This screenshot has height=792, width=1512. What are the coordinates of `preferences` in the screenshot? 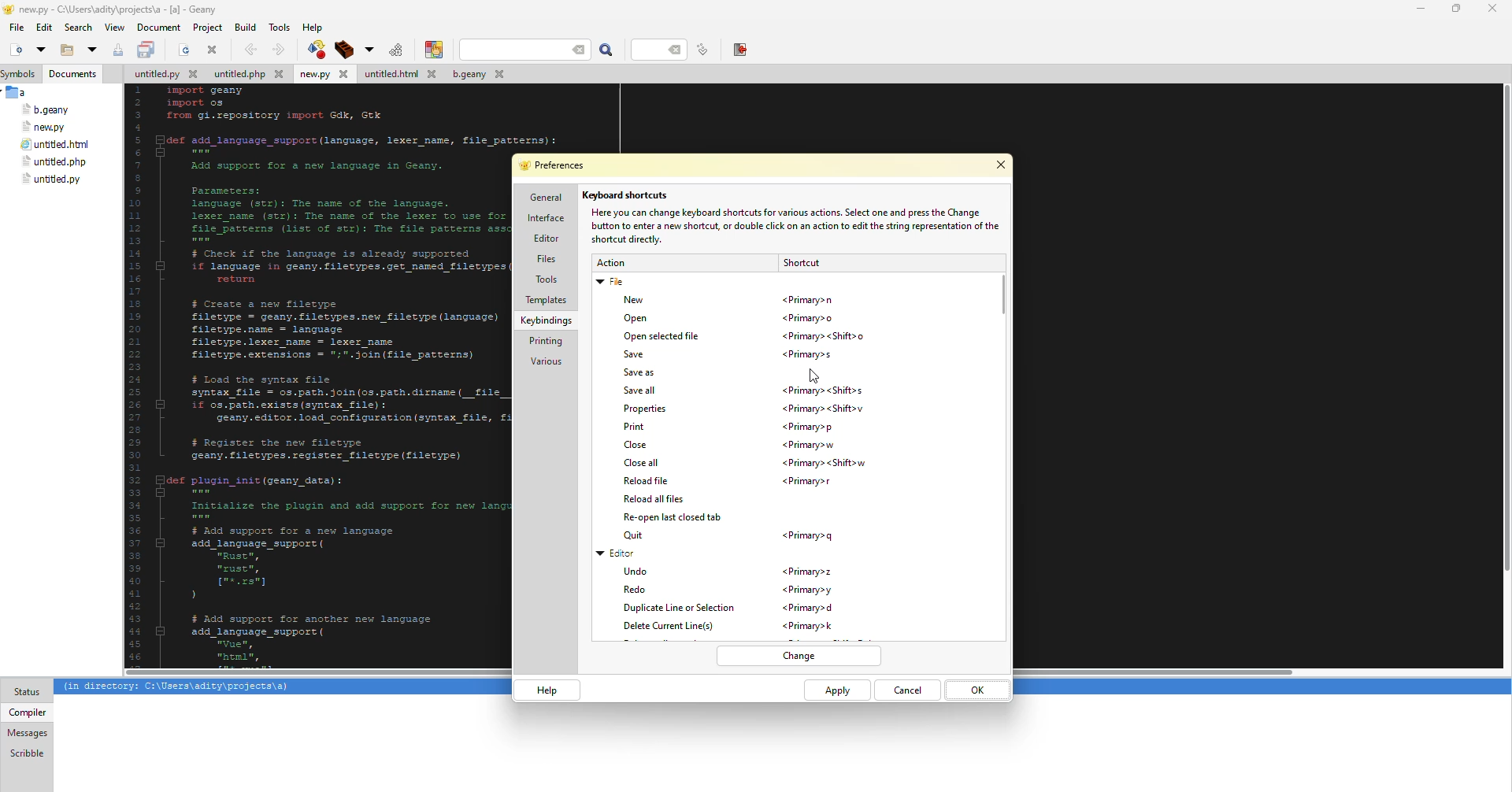 It's located at (557, 166).